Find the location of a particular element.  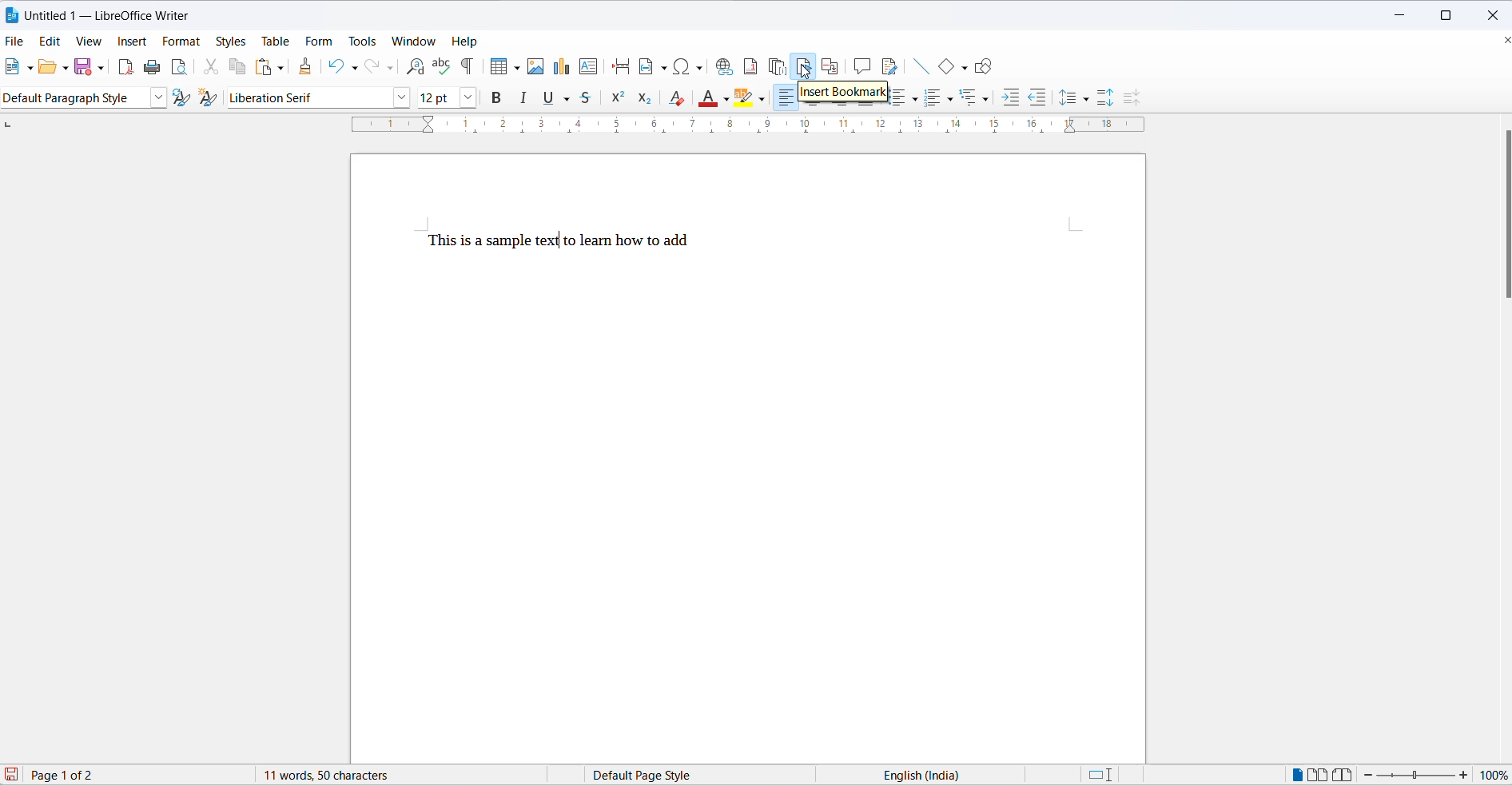

underline options is located at coordinates (571, 99).